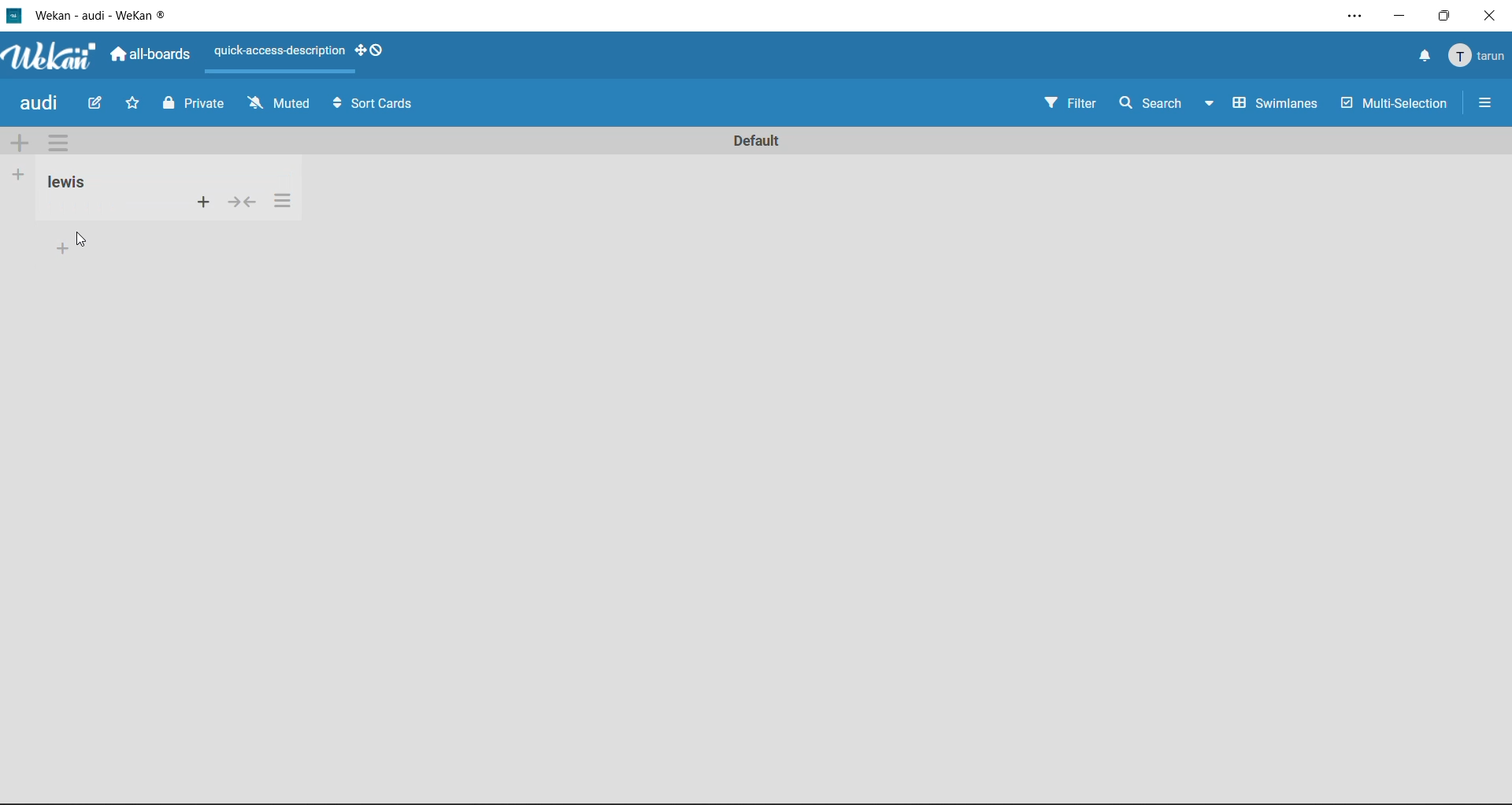  What do you see at coordinates (335, 103) in the screenshot?
I see `Arrows` at bounding box center [335, 103].